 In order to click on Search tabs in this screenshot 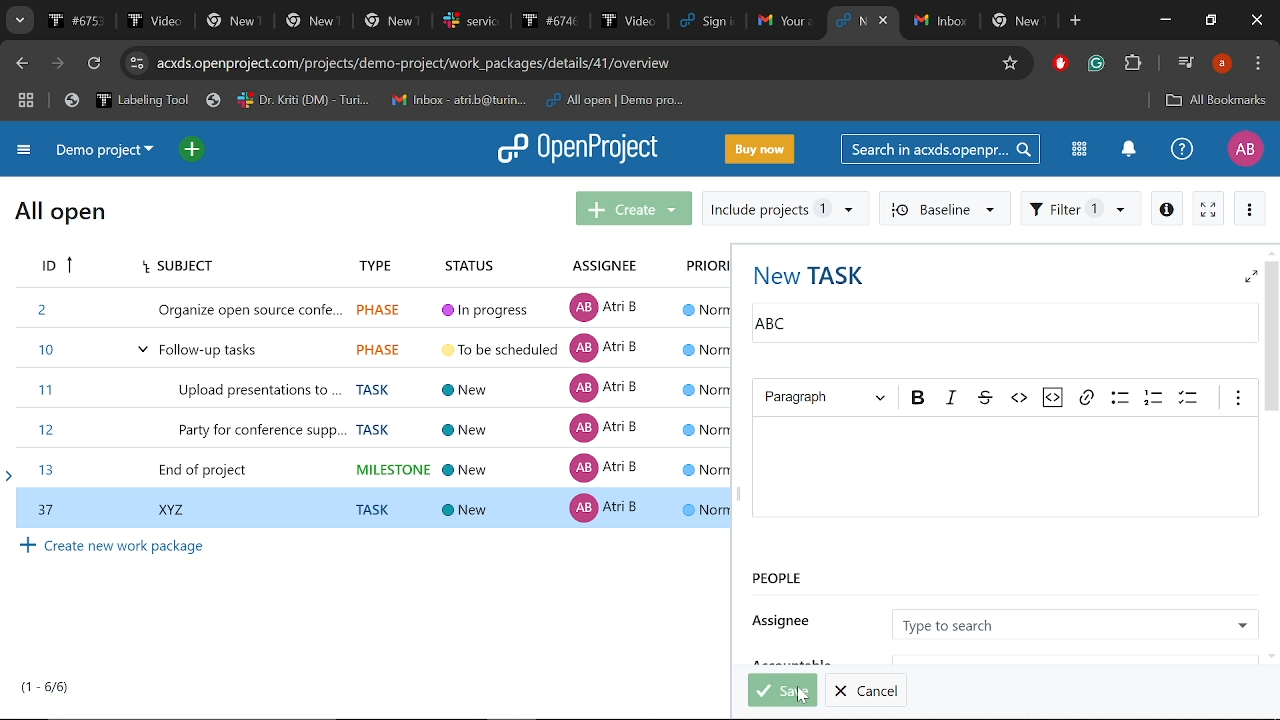, I will do `click(18, 20)`.